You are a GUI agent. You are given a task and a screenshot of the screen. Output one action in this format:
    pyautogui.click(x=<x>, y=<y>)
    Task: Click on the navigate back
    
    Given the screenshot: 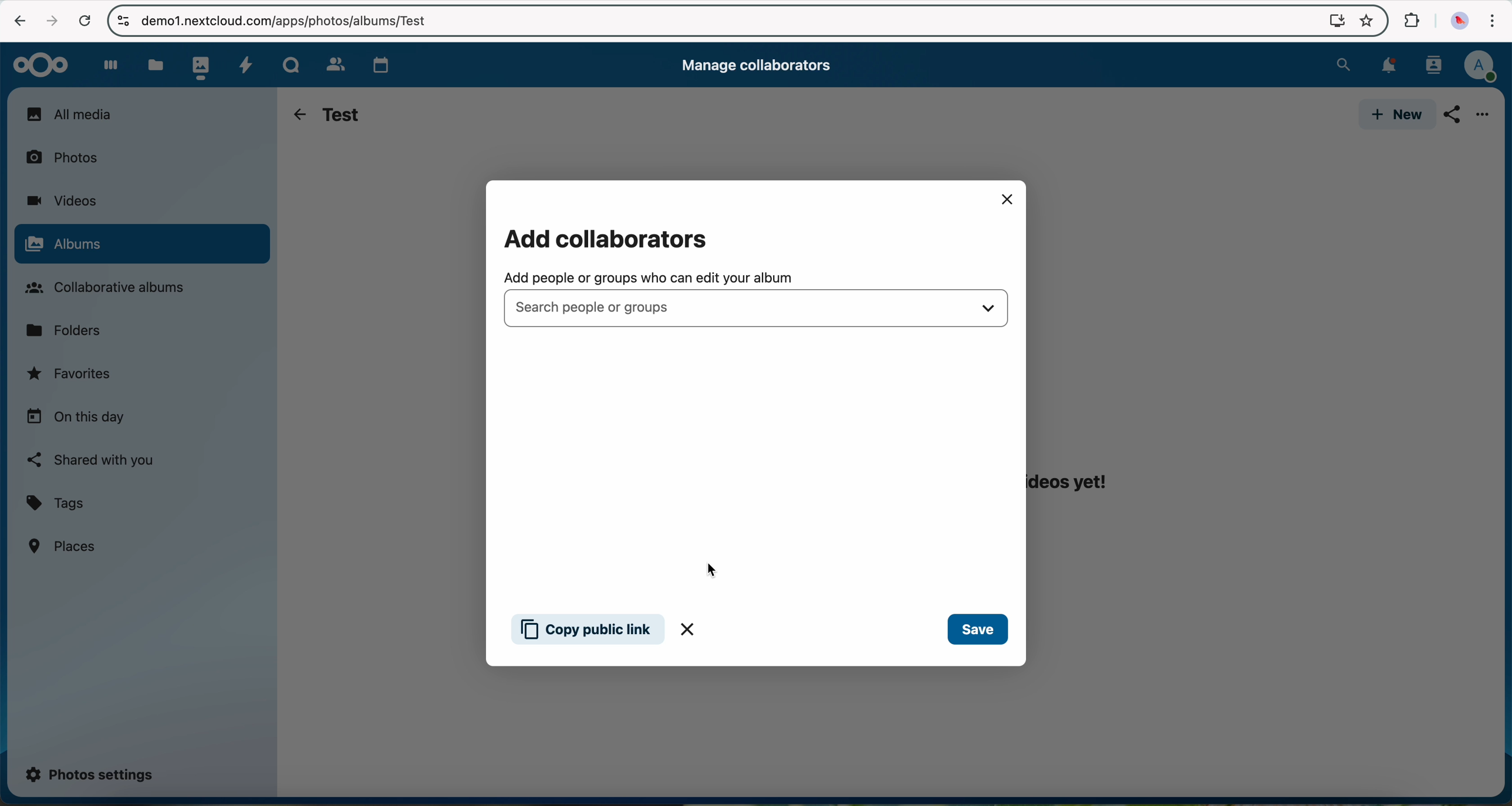 What is the action you would take?
    pyautogui.click(x=15, y=19)
    